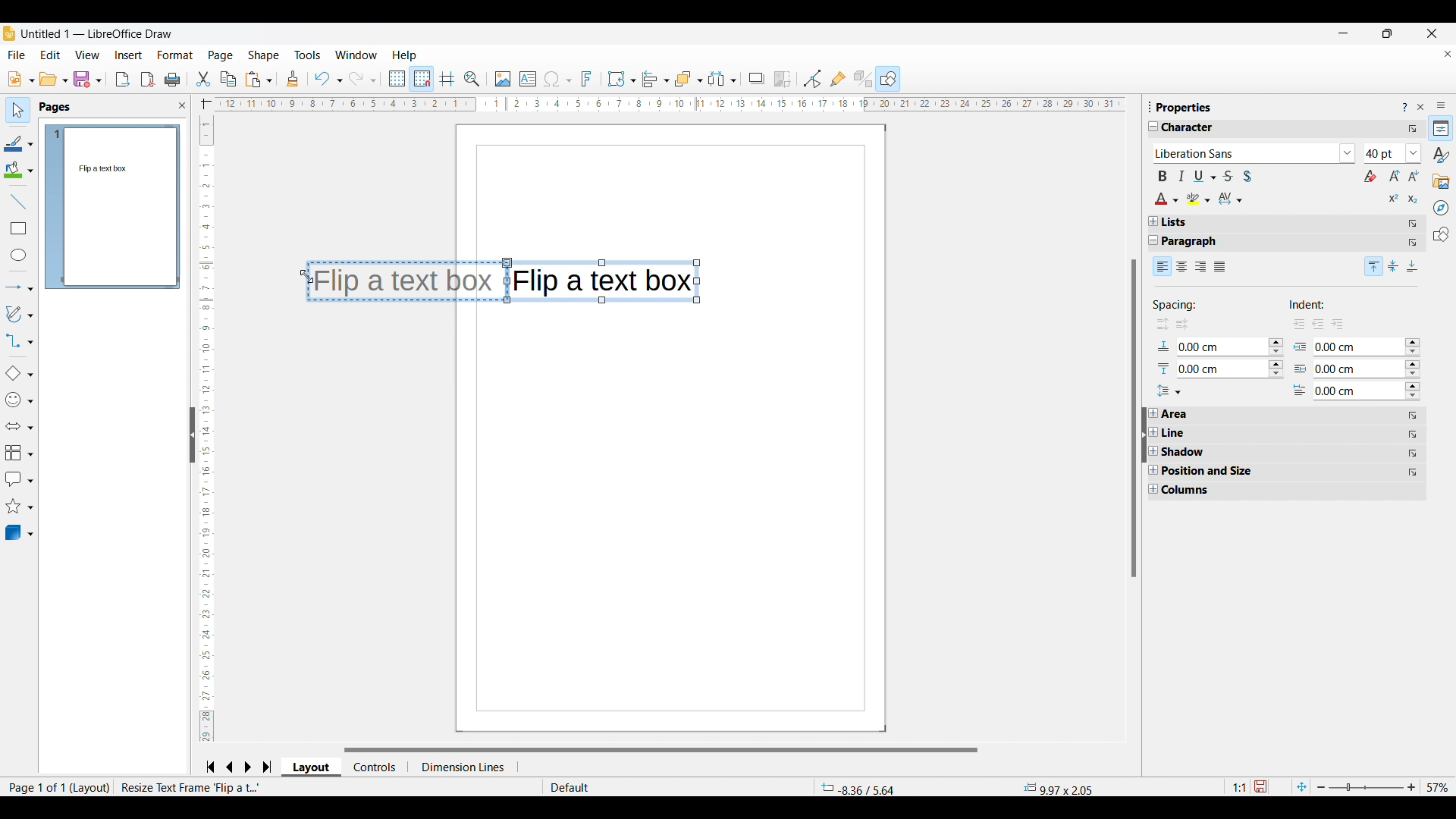 This screenshot has height=819, width=1456. What do you see at coordinates (447, 79) in the screenshot?
I see `Helplines while moving` at bounding box center [447, 79].